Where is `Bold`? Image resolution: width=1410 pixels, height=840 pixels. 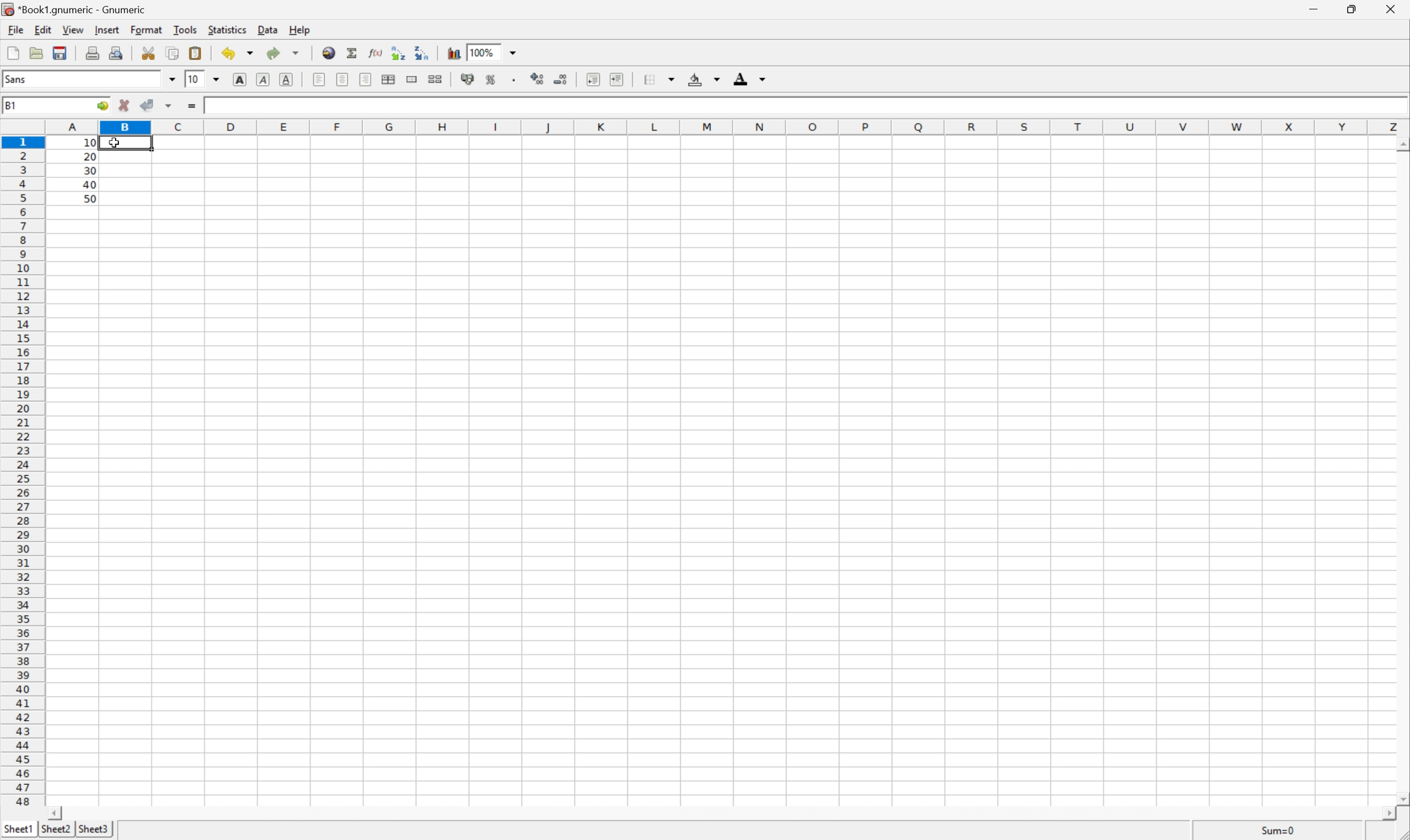
Bold is located at coordinates (240, 79).